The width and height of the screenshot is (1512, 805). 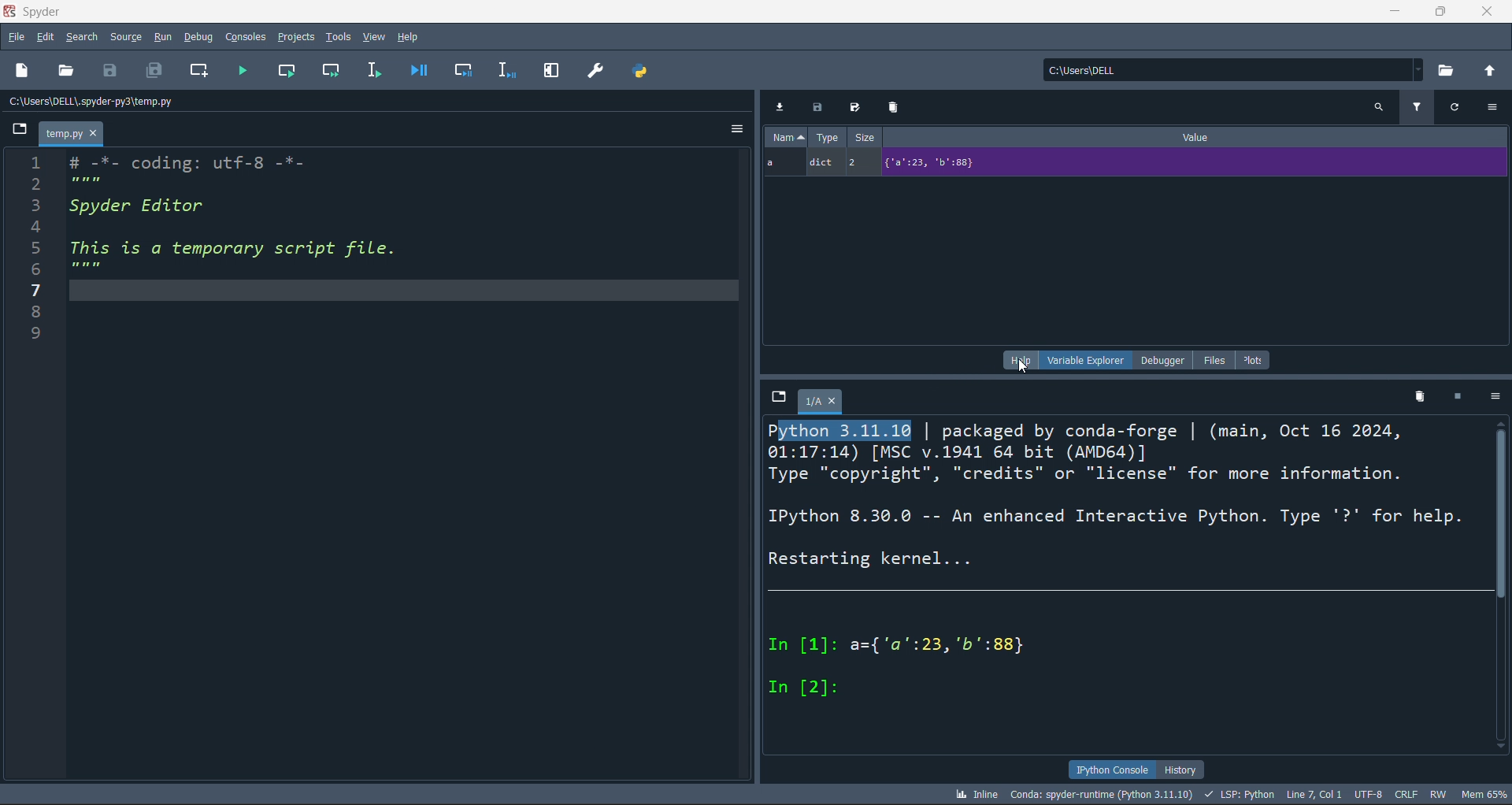 I want to click on save all, so click(x=150, y=72).